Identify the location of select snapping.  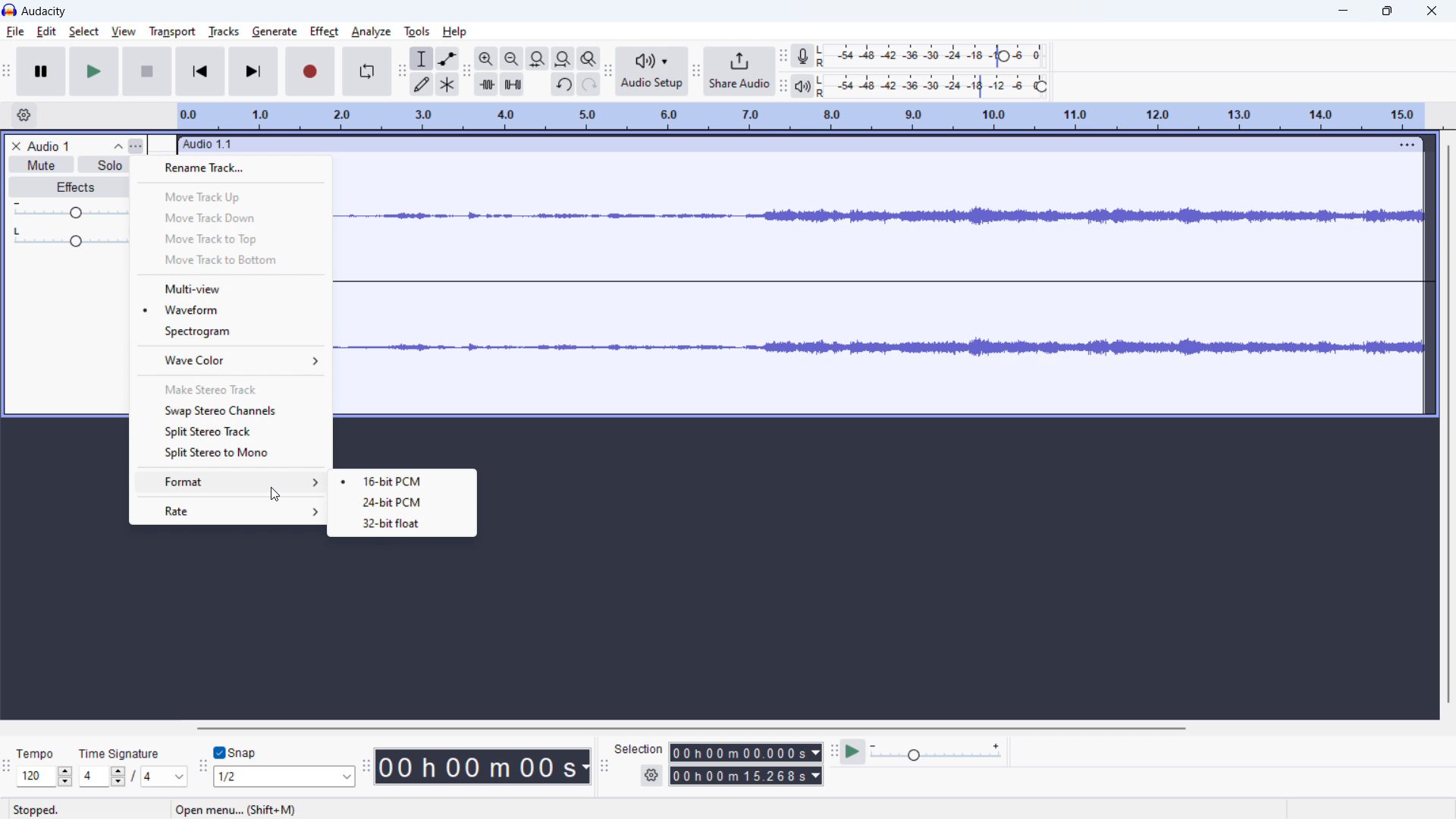
(285, 777).